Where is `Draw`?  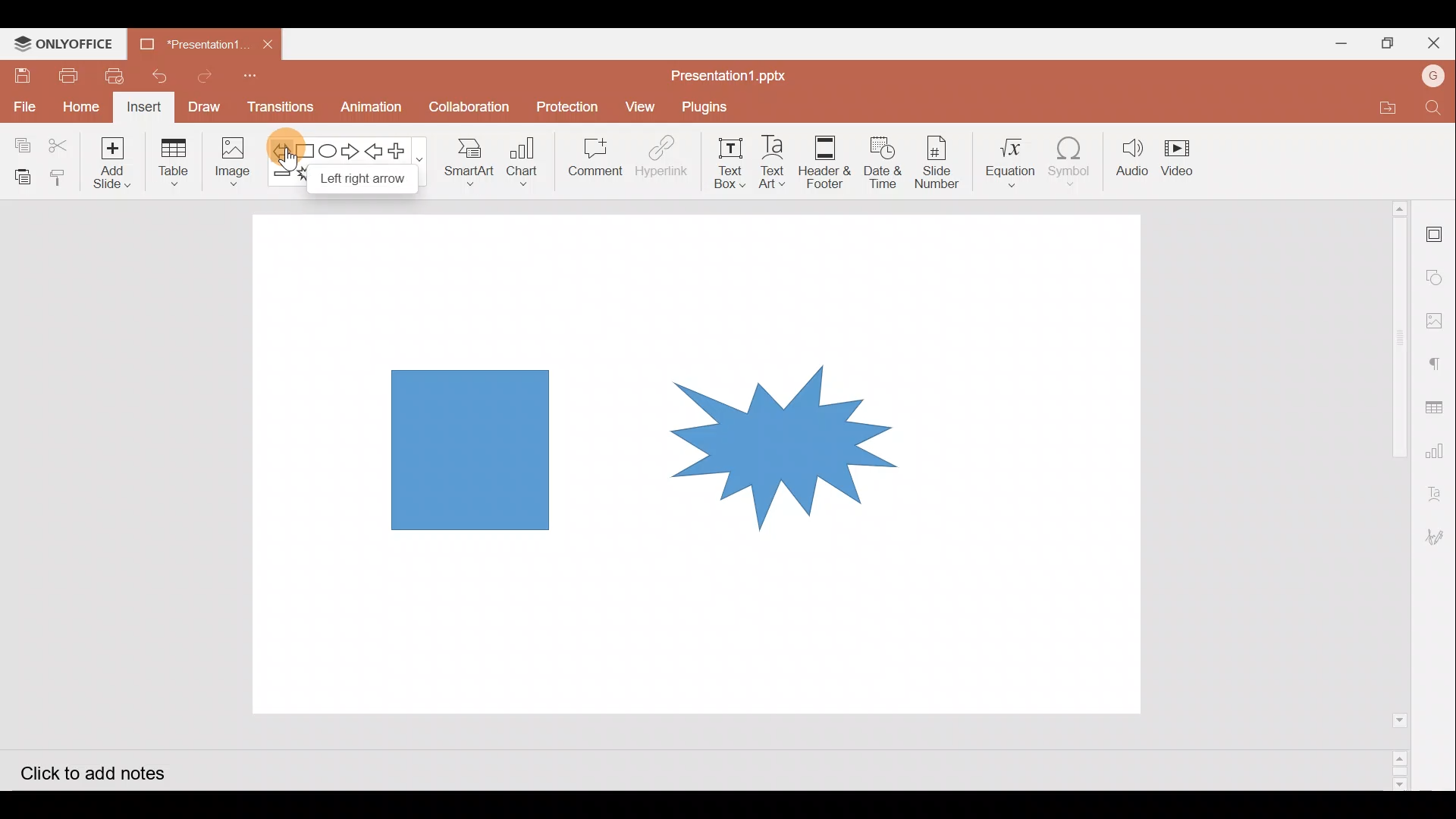 Draw is located at coordinates (209, 108).